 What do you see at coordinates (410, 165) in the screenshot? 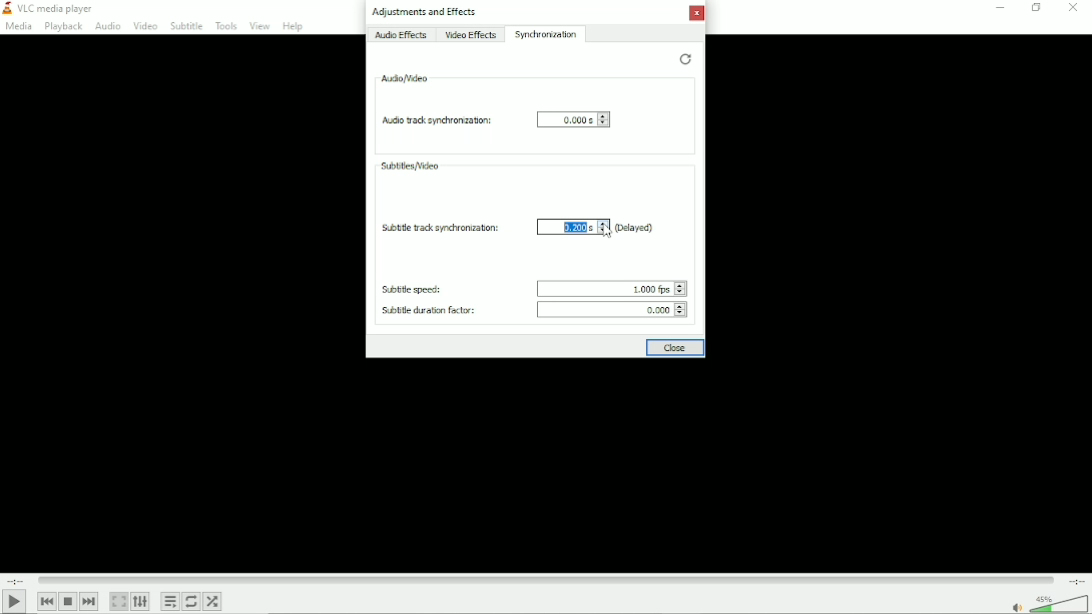
I see `Subtitles/video` at bounding box center [410, 165].